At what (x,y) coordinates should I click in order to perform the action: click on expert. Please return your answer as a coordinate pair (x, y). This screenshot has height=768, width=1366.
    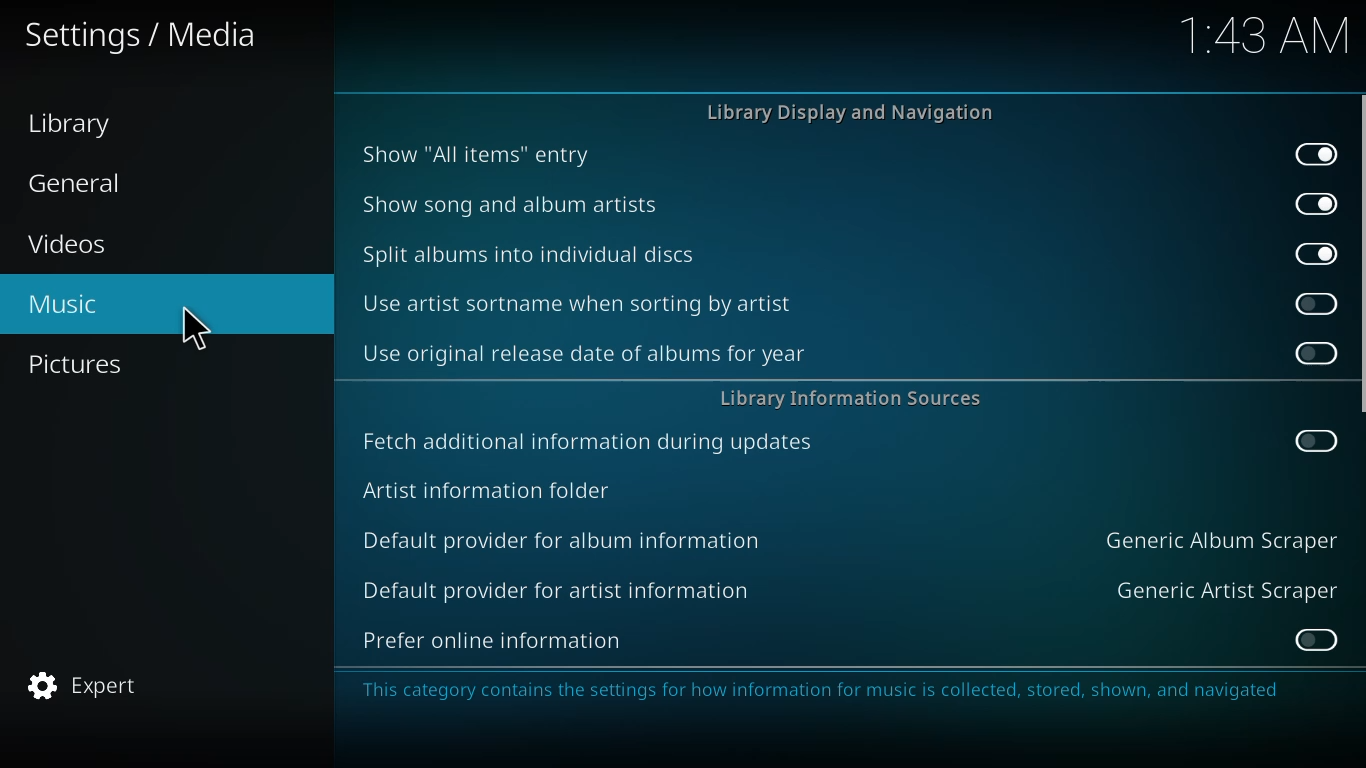
    Looking at the image, I should click on (82, 685).